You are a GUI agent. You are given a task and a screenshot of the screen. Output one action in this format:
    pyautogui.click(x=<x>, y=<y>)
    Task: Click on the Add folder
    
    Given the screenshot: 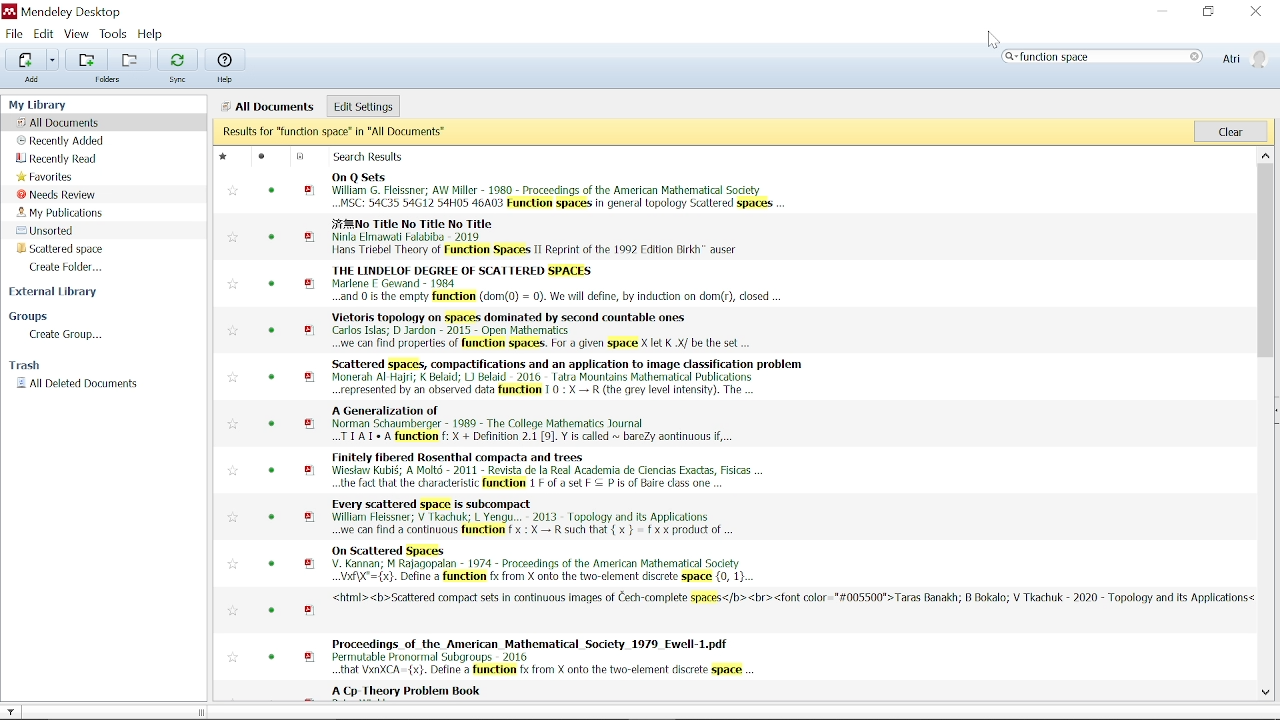 What is the action you would take?
    pyautogui.click(x=87, y=58)
    